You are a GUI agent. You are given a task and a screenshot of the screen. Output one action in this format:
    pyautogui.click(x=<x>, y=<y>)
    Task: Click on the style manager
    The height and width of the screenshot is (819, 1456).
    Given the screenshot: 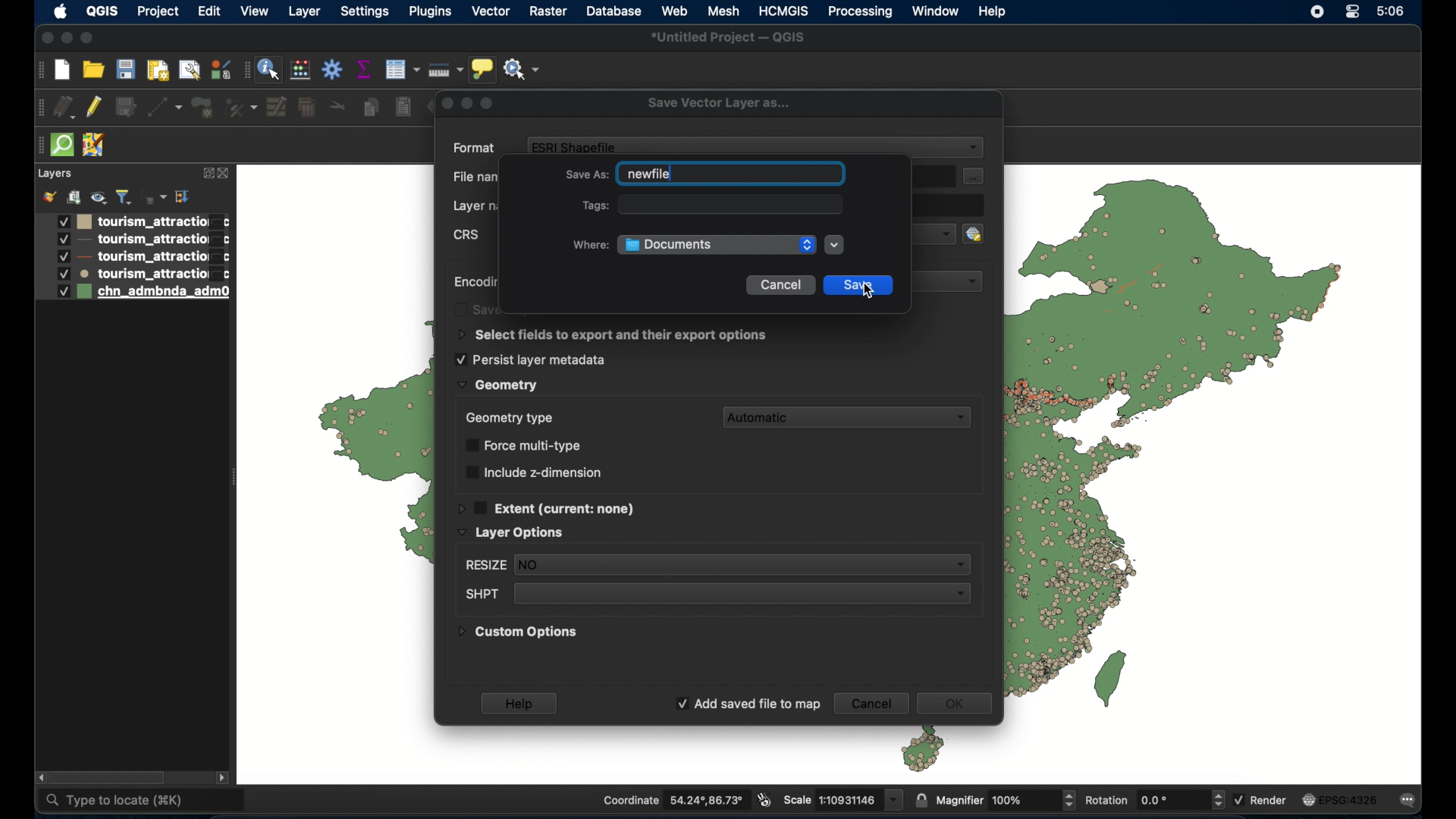 What is the action you would take?
    pyautogui.click(x=219, y=68)
    